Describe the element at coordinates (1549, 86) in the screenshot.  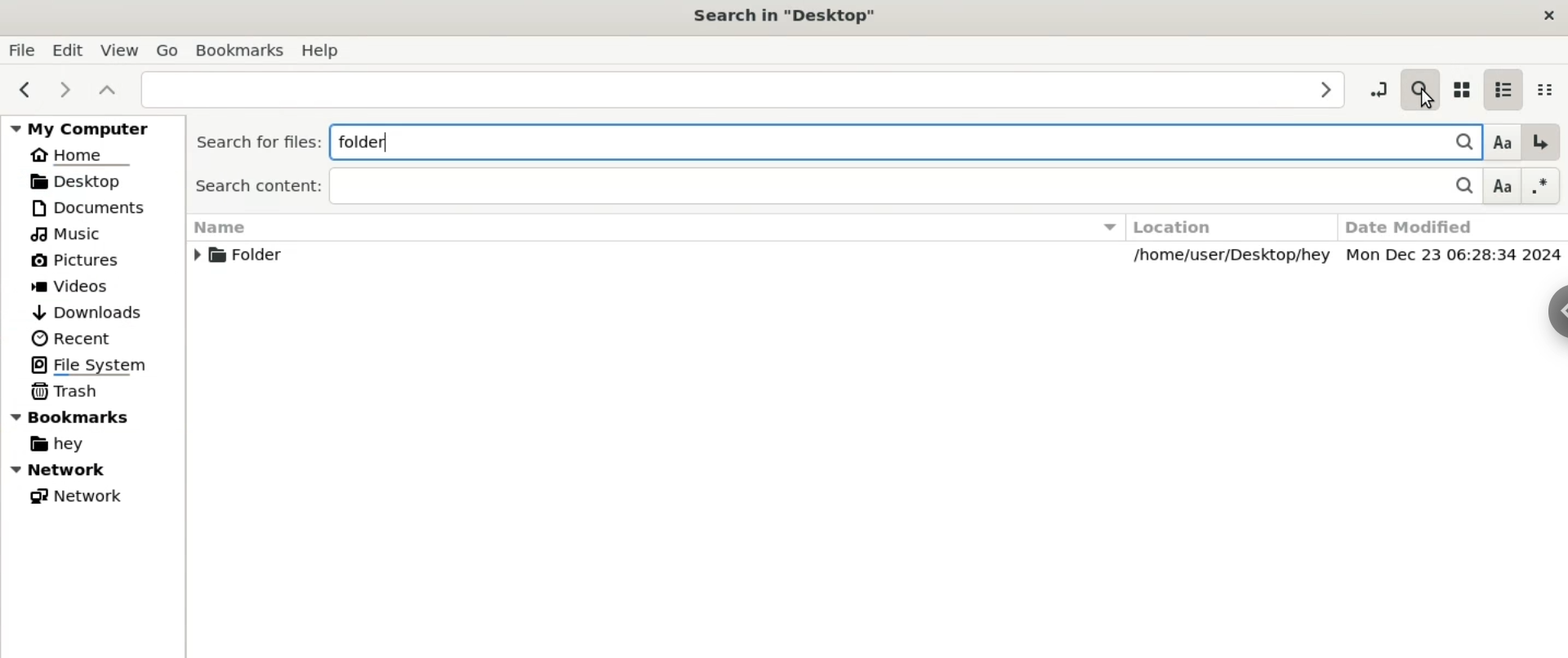
I see `compact view` at that location.